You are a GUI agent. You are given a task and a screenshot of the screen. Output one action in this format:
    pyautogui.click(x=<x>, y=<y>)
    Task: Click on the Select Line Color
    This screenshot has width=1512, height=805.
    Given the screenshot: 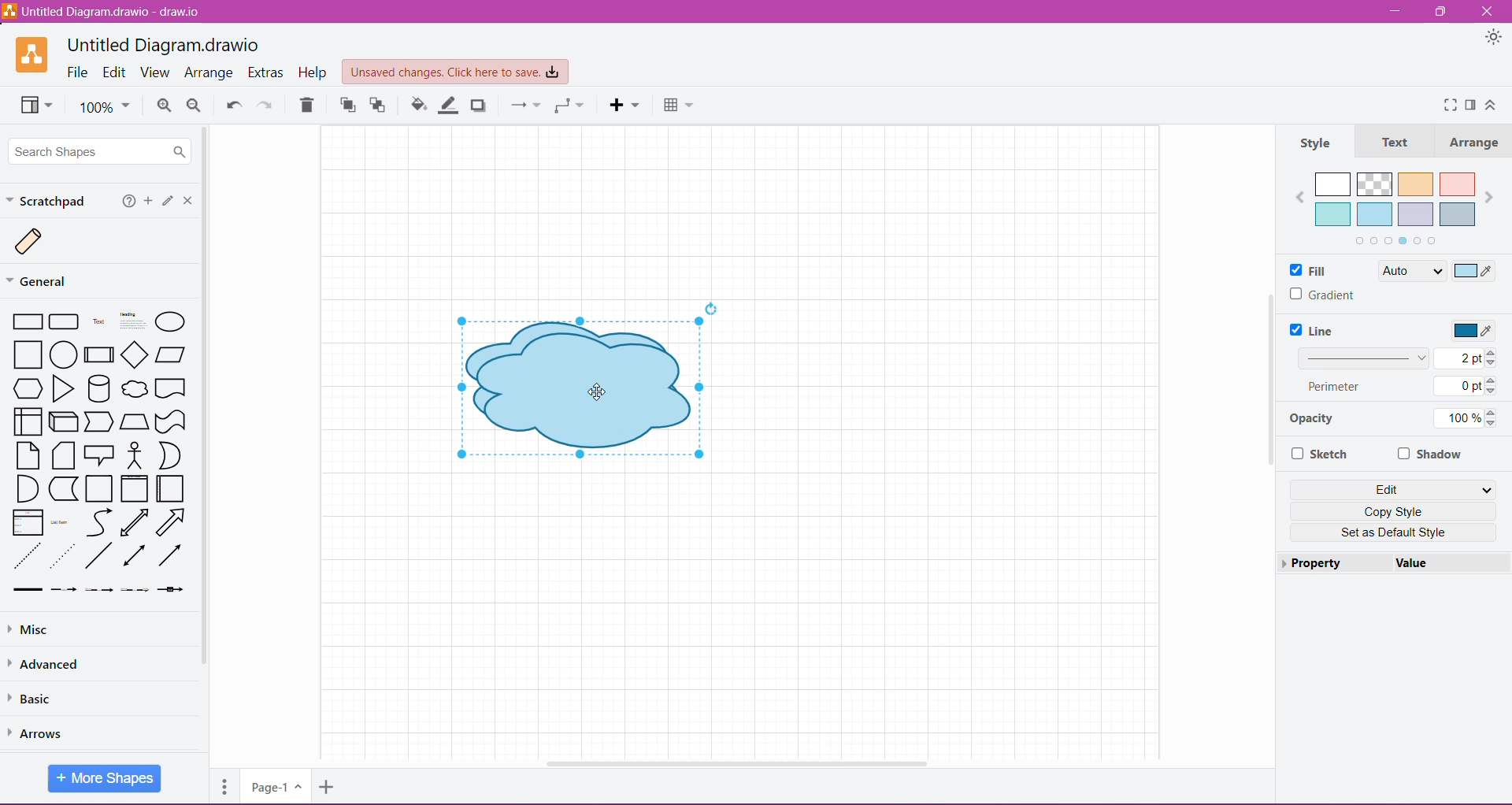 What is the action you would take?
    pyautogui.click(x=1475, y=332)
    